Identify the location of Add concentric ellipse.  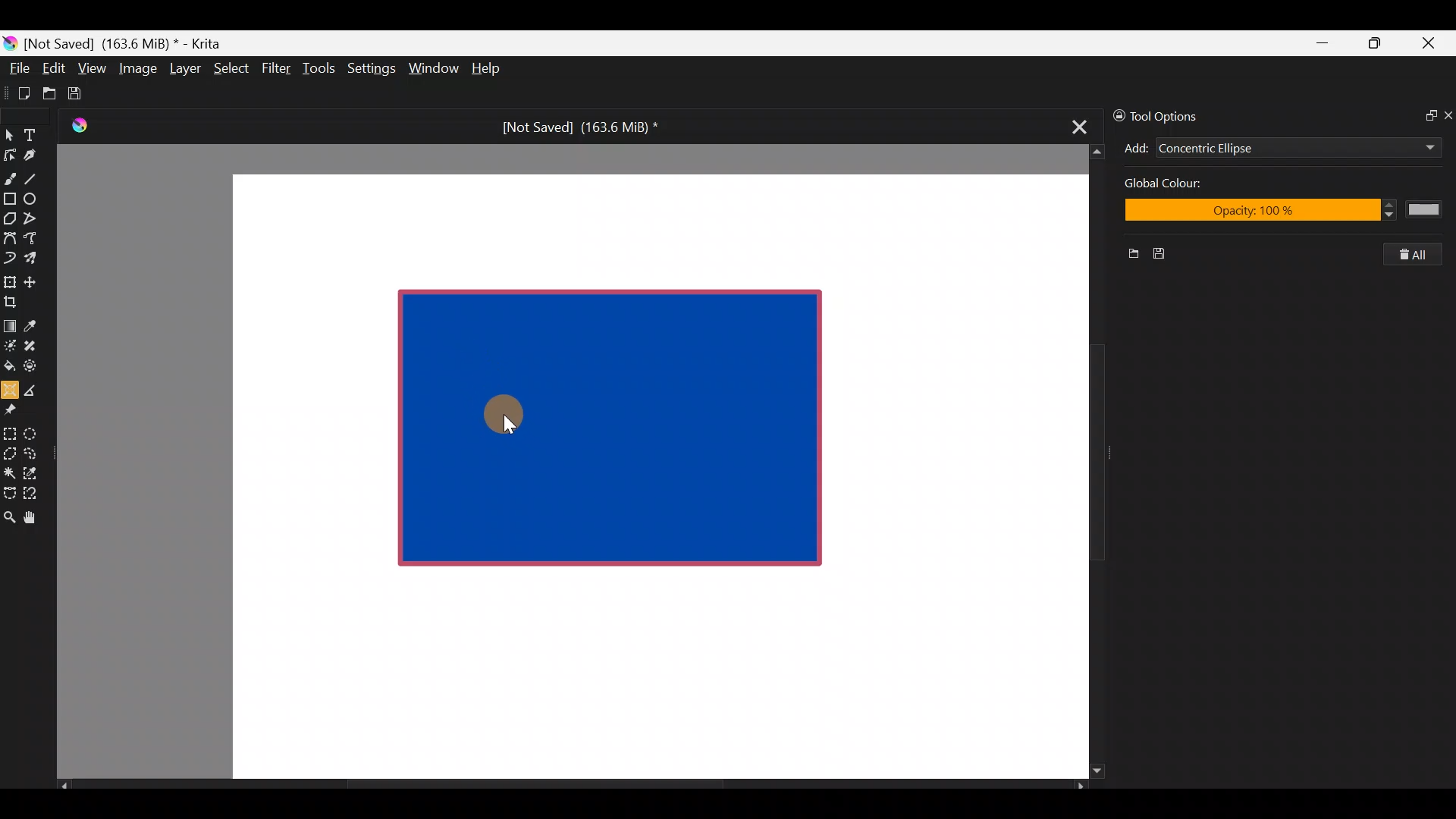
(1134, 146).